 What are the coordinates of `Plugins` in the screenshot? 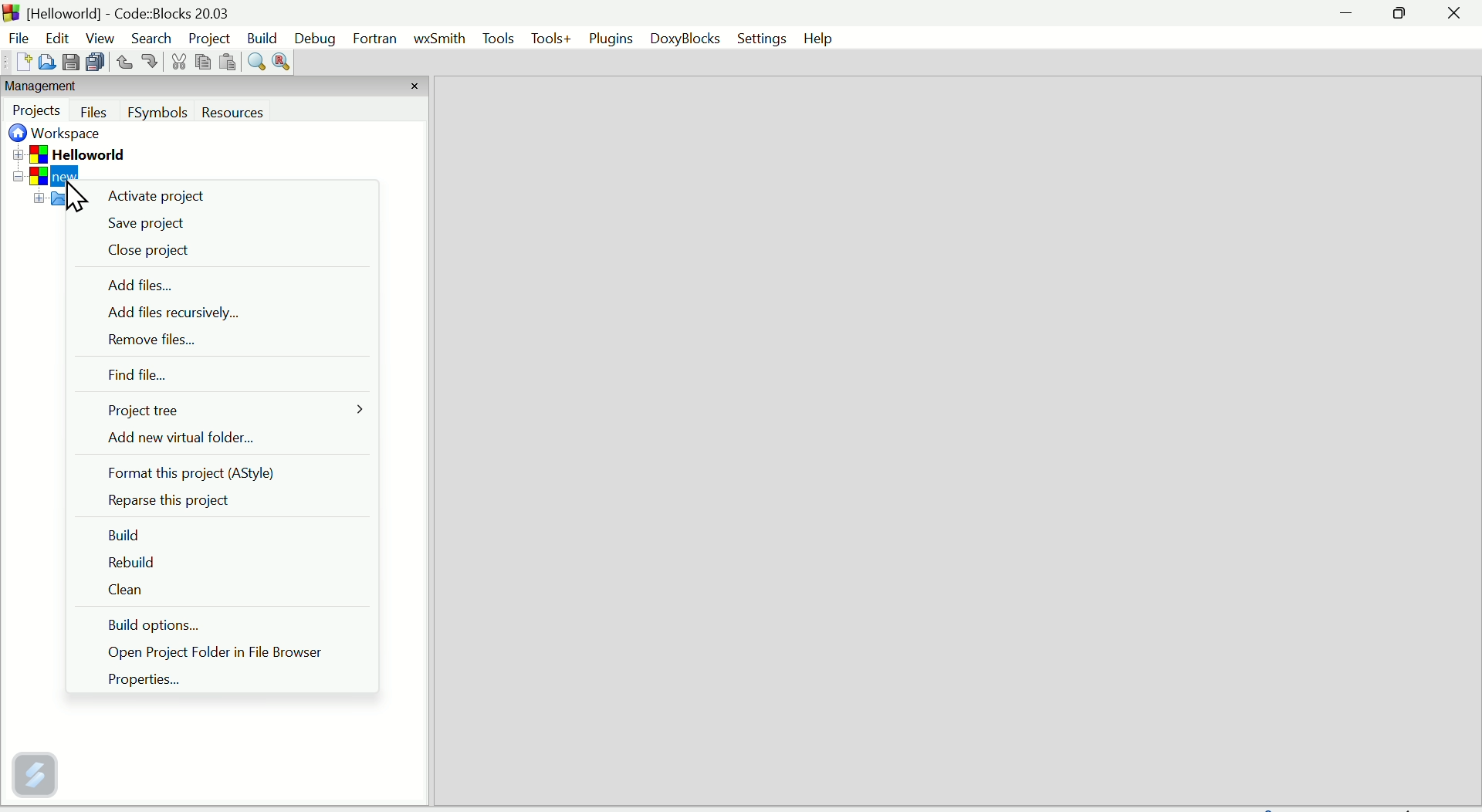 It's located at (611, 40).